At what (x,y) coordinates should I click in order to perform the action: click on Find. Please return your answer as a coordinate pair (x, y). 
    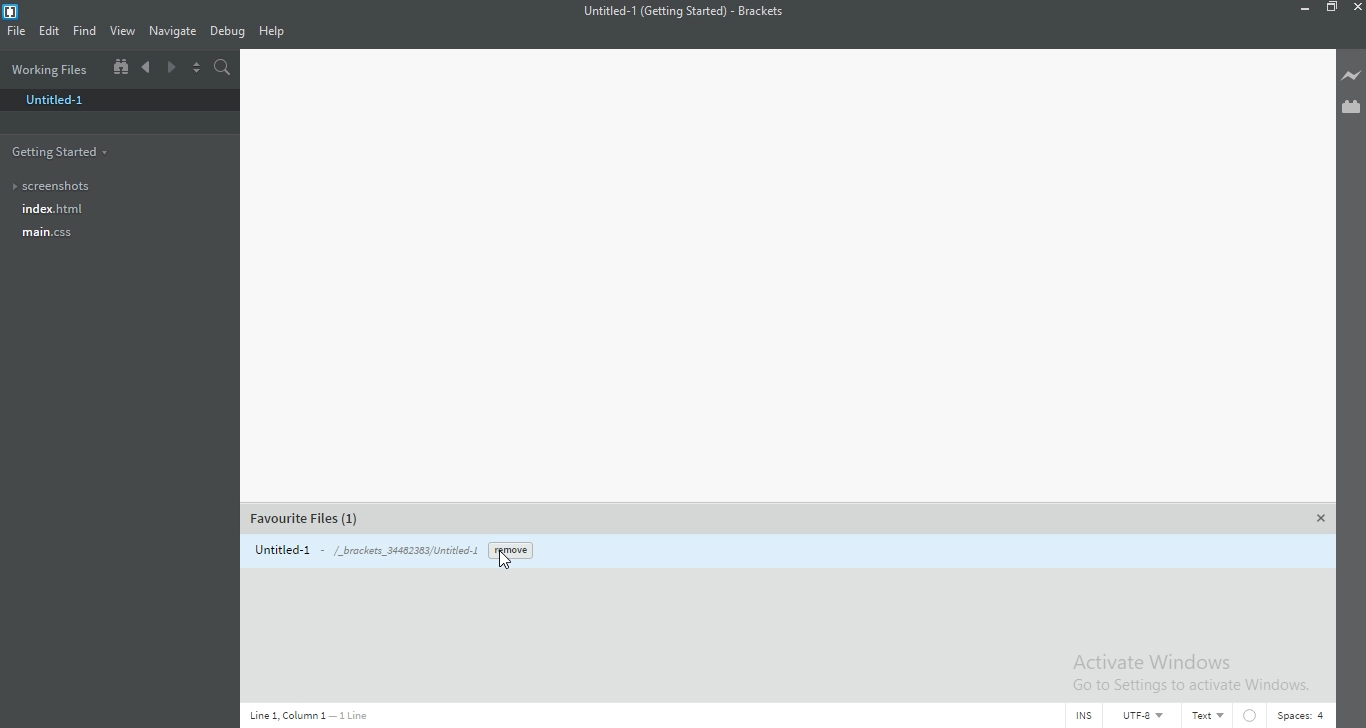
    Looking at the image, I should click on (85, 34).